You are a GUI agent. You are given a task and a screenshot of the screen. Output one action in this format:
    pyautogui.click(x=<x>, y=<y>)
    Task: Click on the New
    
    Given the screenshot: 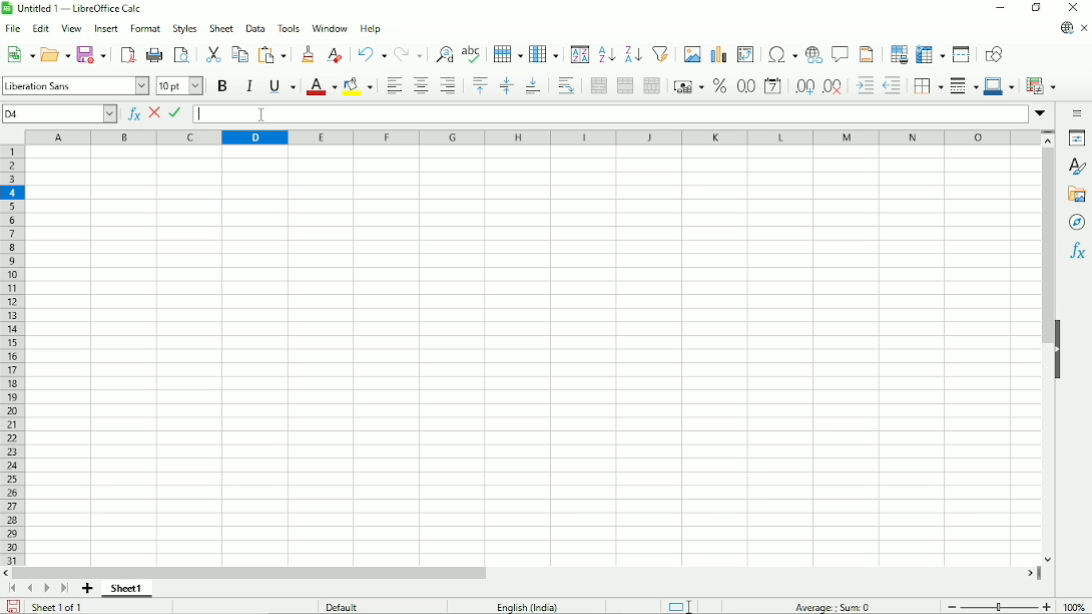 What is the action you would take?
    pyautogui.click(x=21, y=53)
    